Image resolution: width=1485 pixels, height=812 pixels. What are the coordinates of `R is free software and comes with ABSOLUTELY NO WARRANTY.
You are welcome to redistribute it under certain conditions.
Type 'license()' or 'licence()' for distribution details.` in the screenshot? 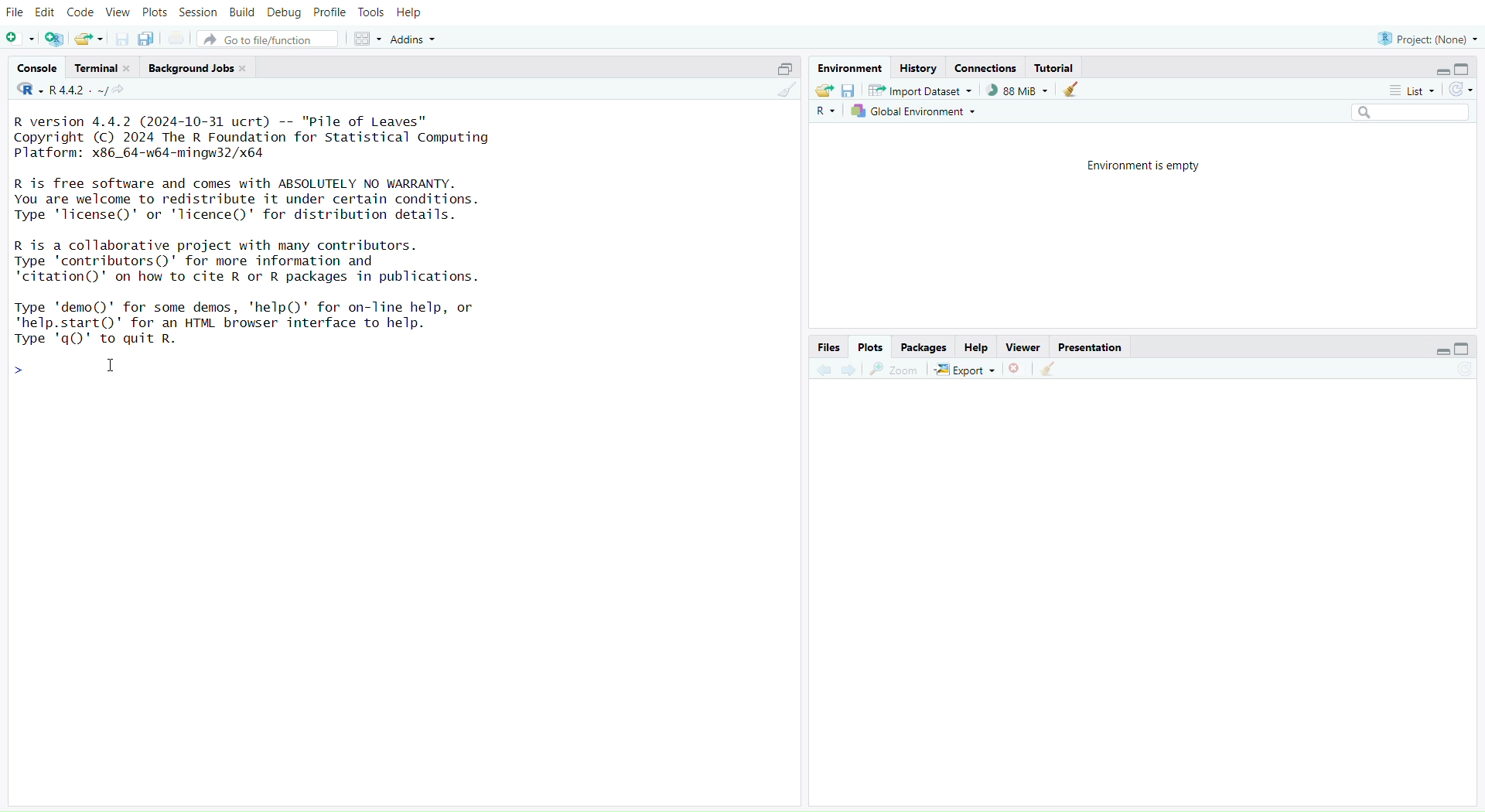 It's located at (257, 200).